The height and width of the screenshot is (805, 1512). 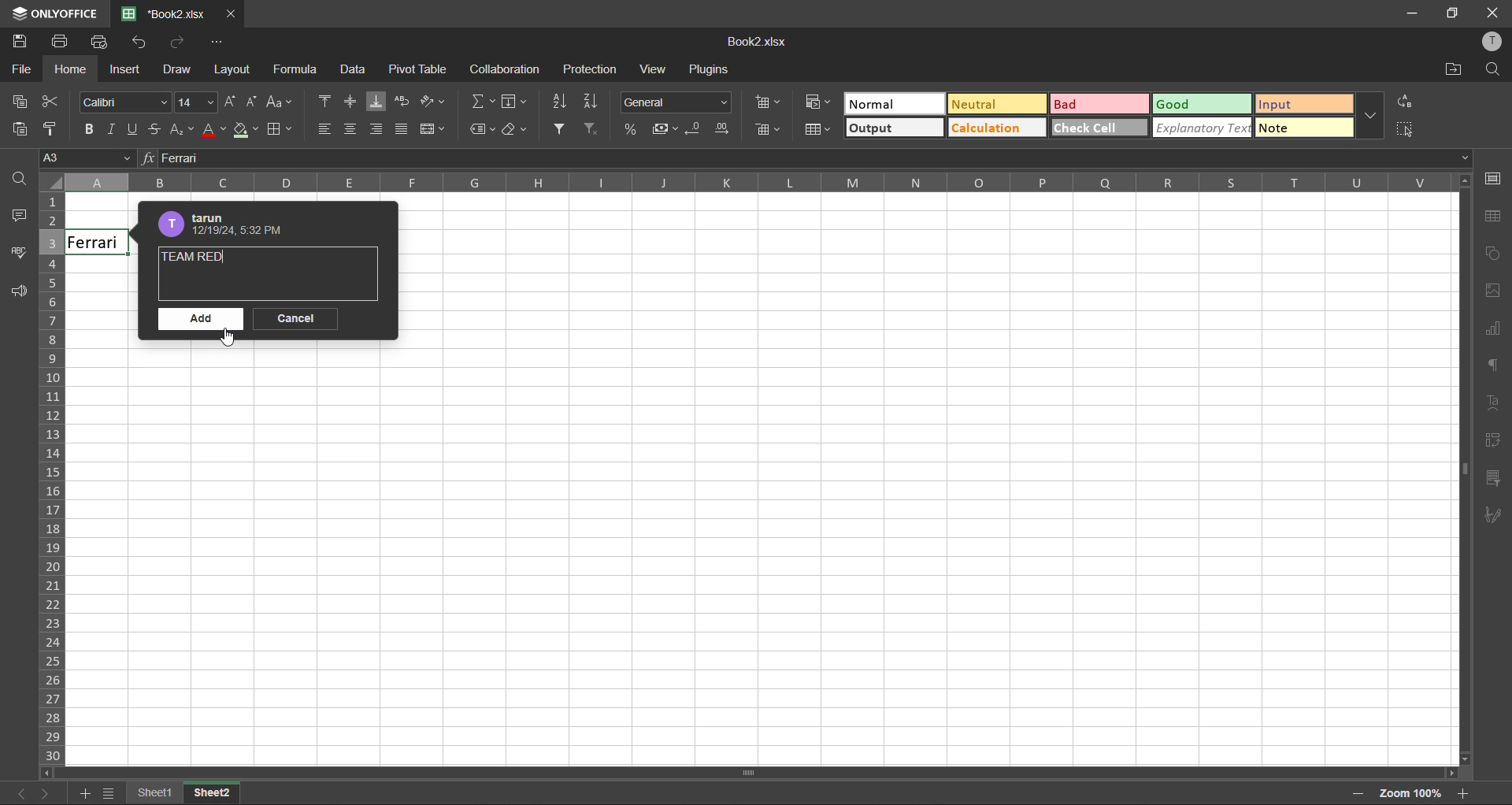 What do you see at coordinates (194, 102) in the screenshot?
I see `font size` at bounding box center [194, 102].